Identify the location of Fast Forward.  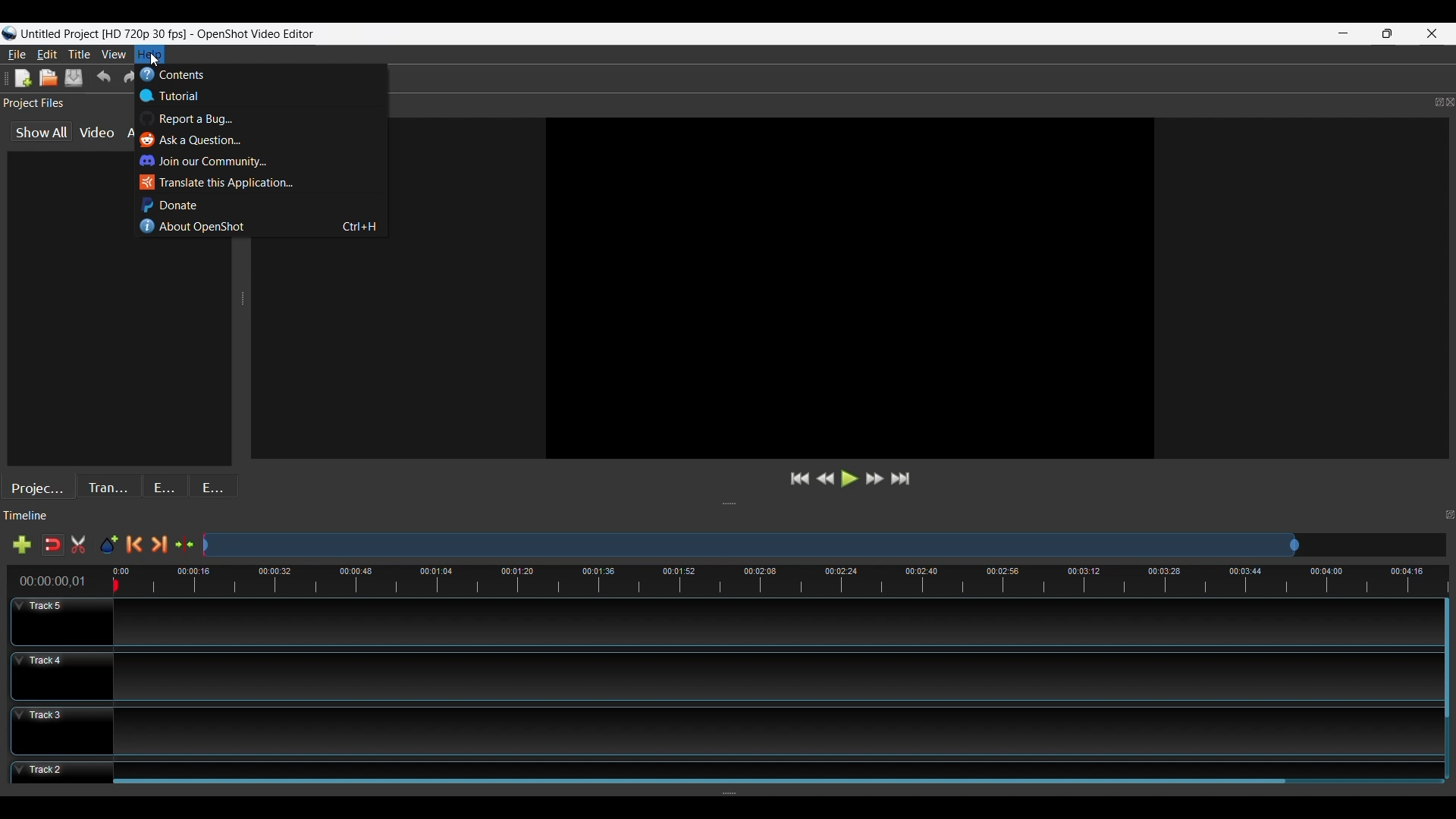
(873, 480).